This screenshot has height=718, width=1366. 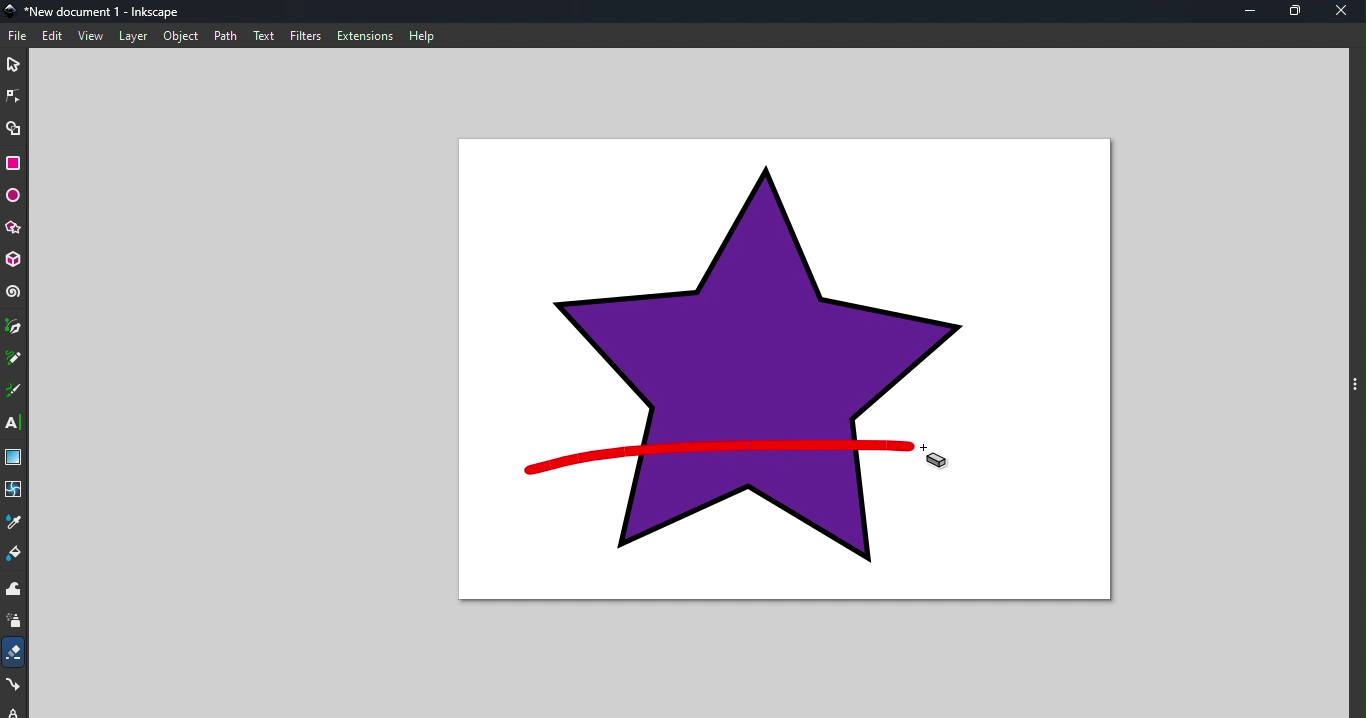 I want to click on path, so click(x=229, y=36).